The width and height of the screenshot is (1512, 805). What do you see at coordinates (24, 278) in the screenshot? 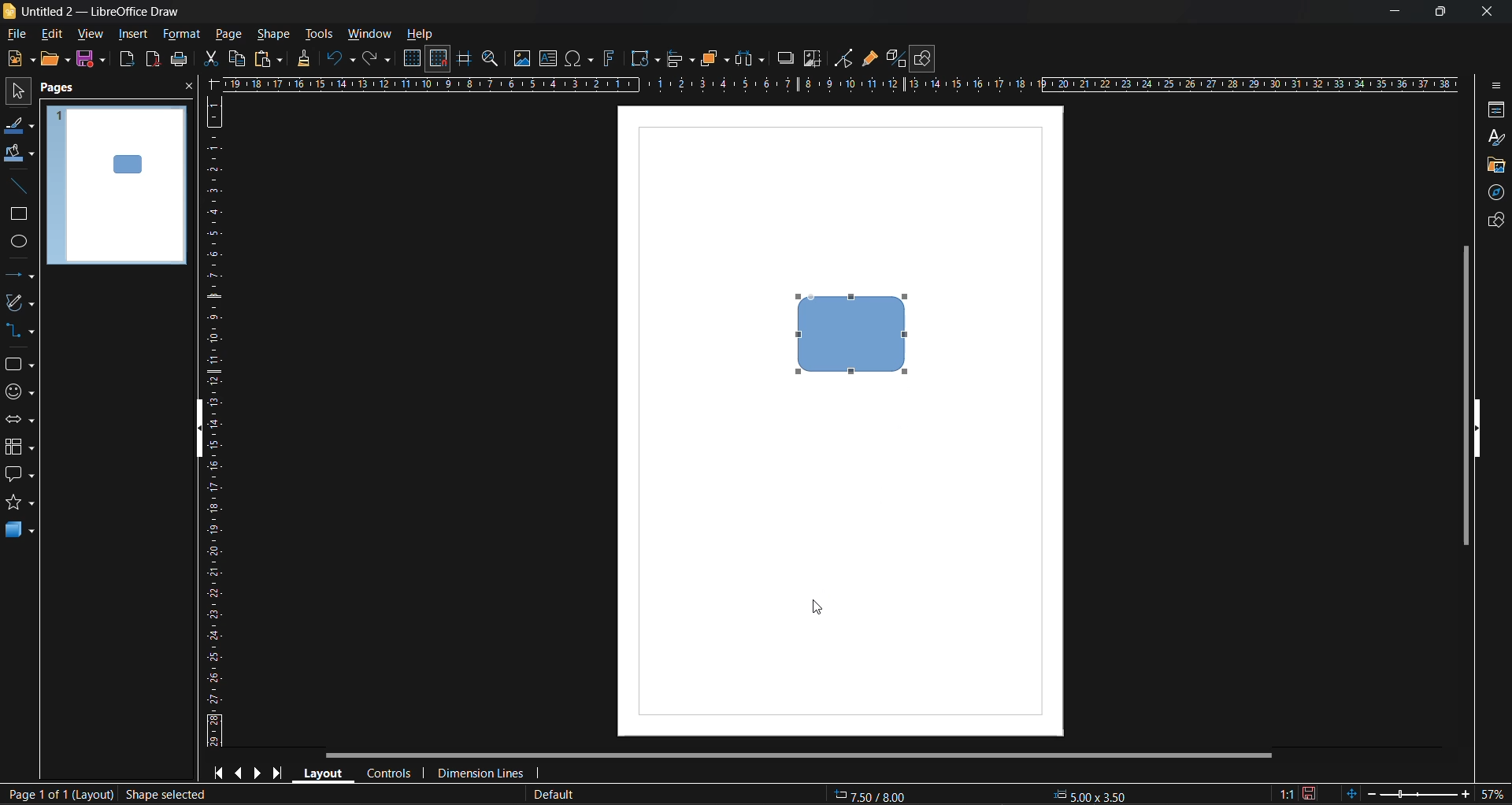
I see `lines and arrows` at bounding box center [24, 278].